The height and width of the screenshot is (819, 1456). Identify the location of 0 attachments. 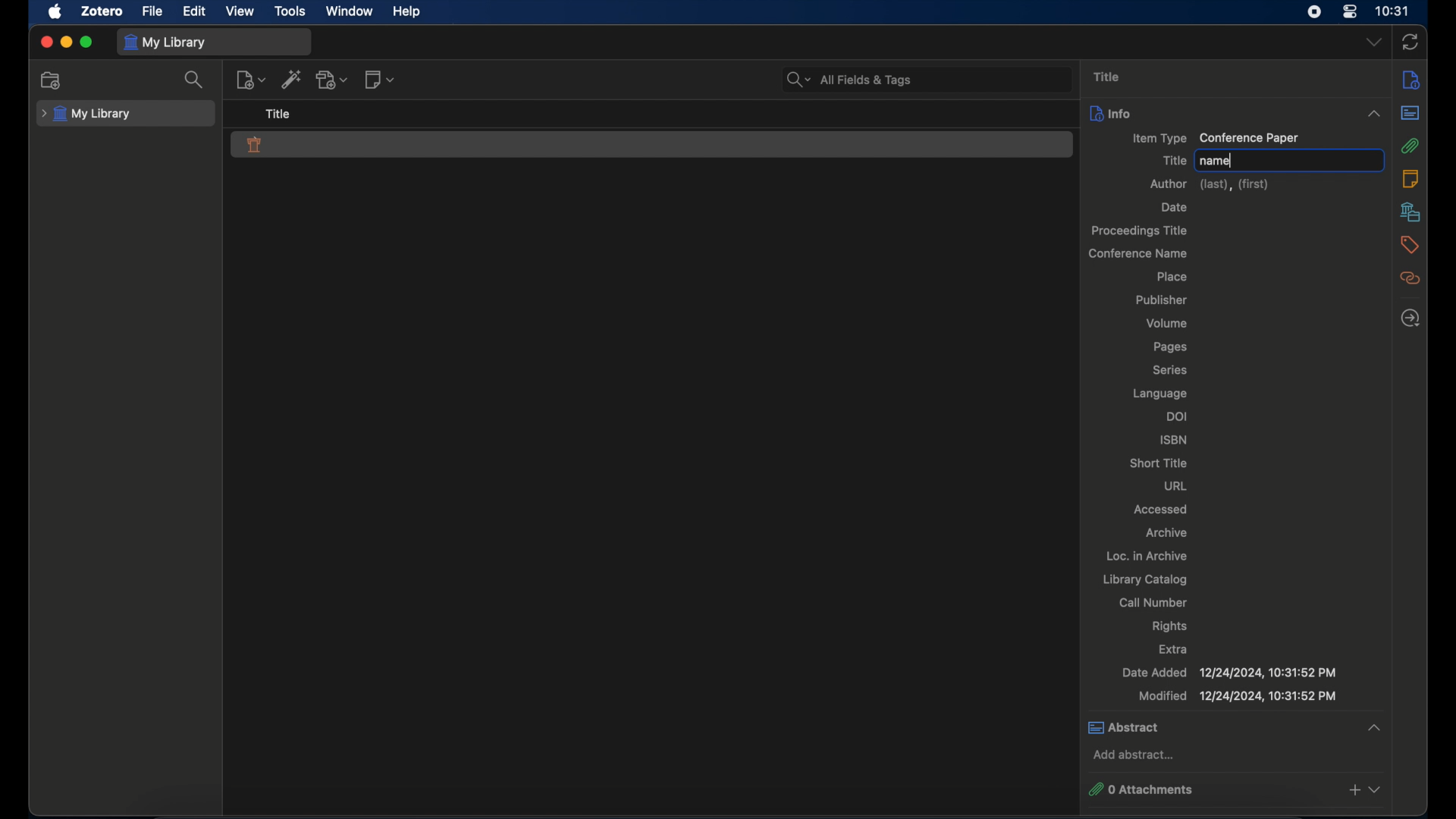
(1236, 789).